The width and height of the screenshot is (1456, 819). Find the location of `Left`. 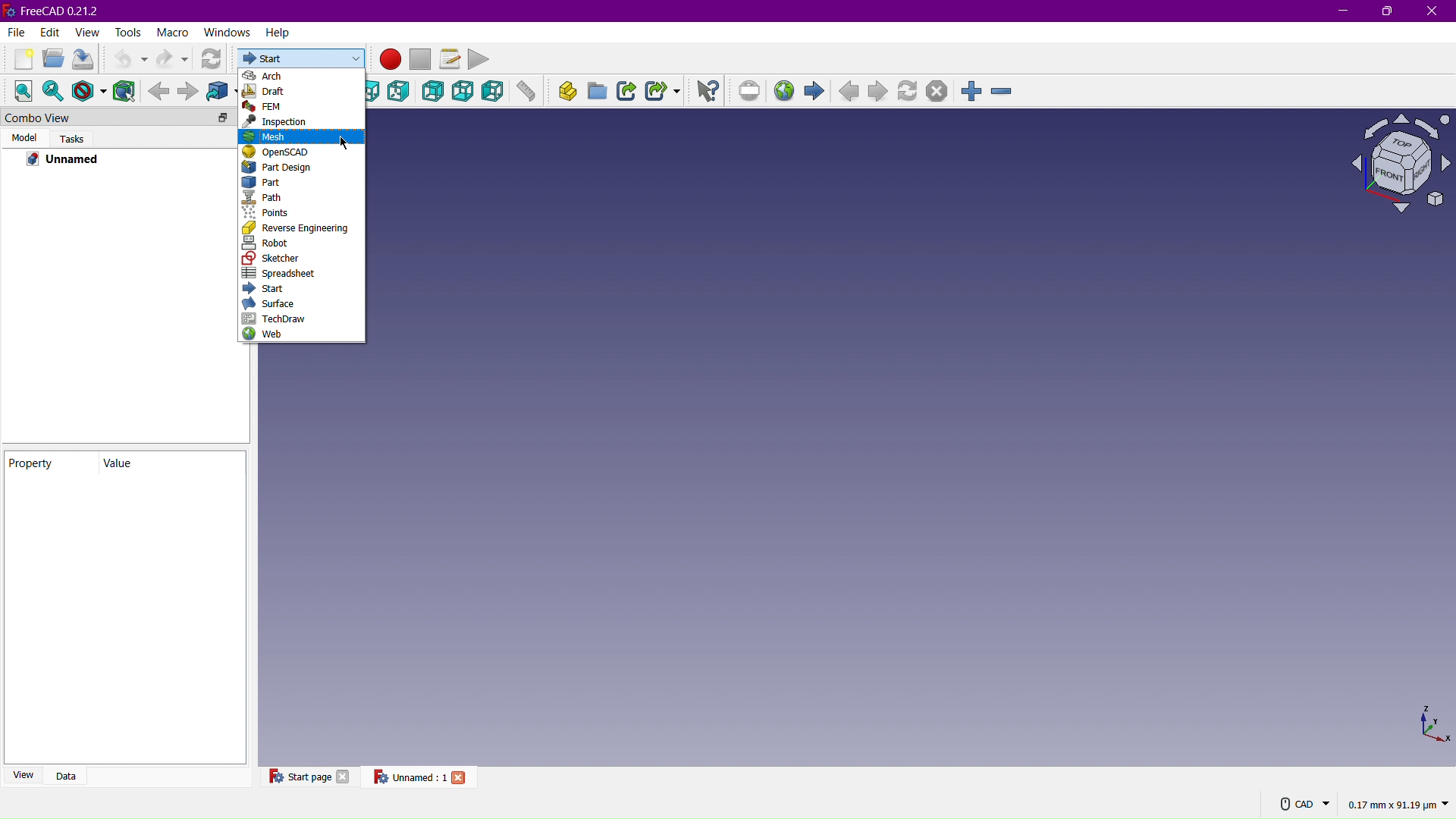

Left is located at coordinates (492, 93).